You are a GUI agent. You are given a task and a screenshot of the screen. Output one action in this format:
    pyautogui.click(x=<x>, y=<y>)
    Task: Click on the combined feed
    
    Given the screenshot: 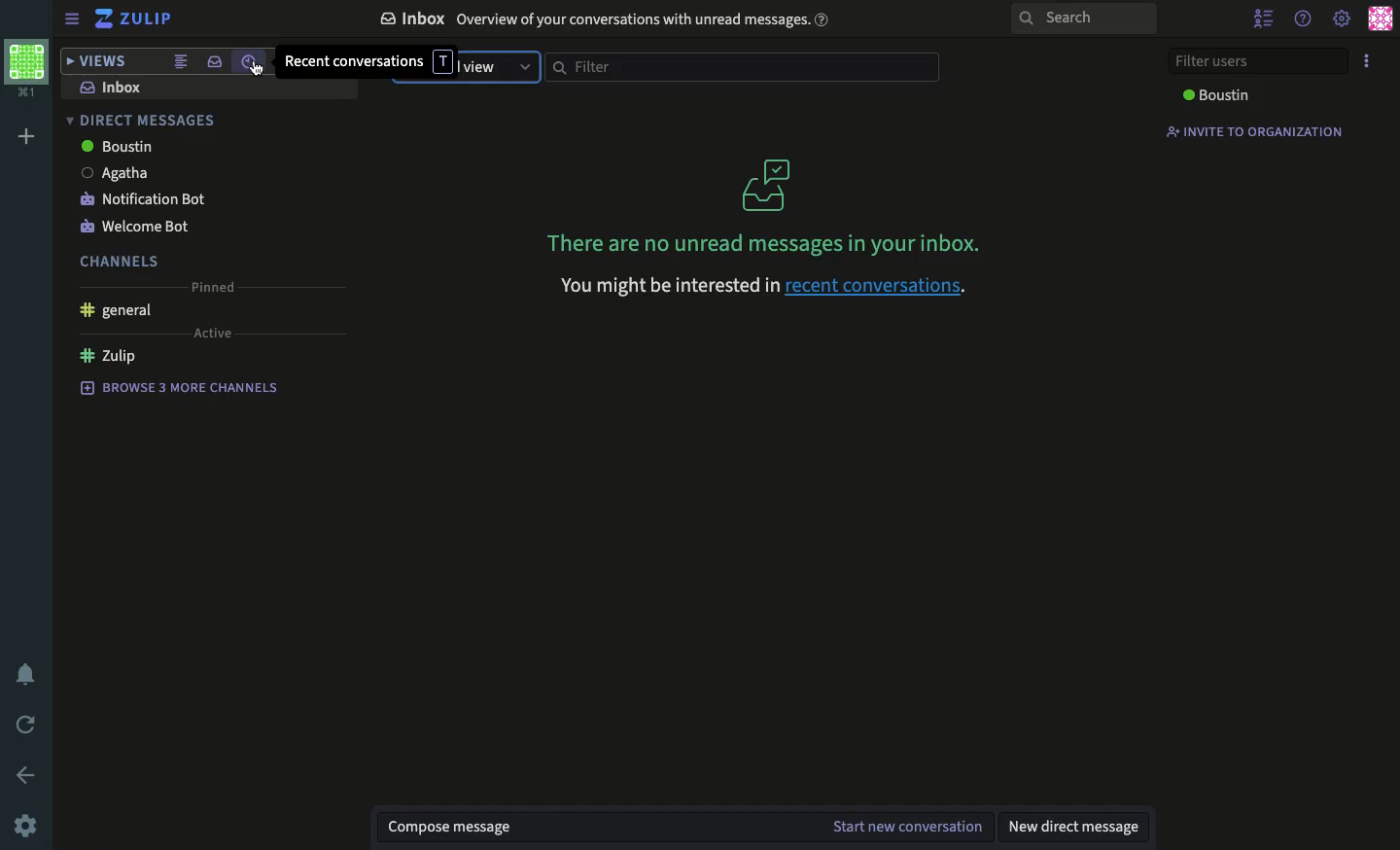 What is the action you would take?
    pyautogui.click(x=179, y=61)
    